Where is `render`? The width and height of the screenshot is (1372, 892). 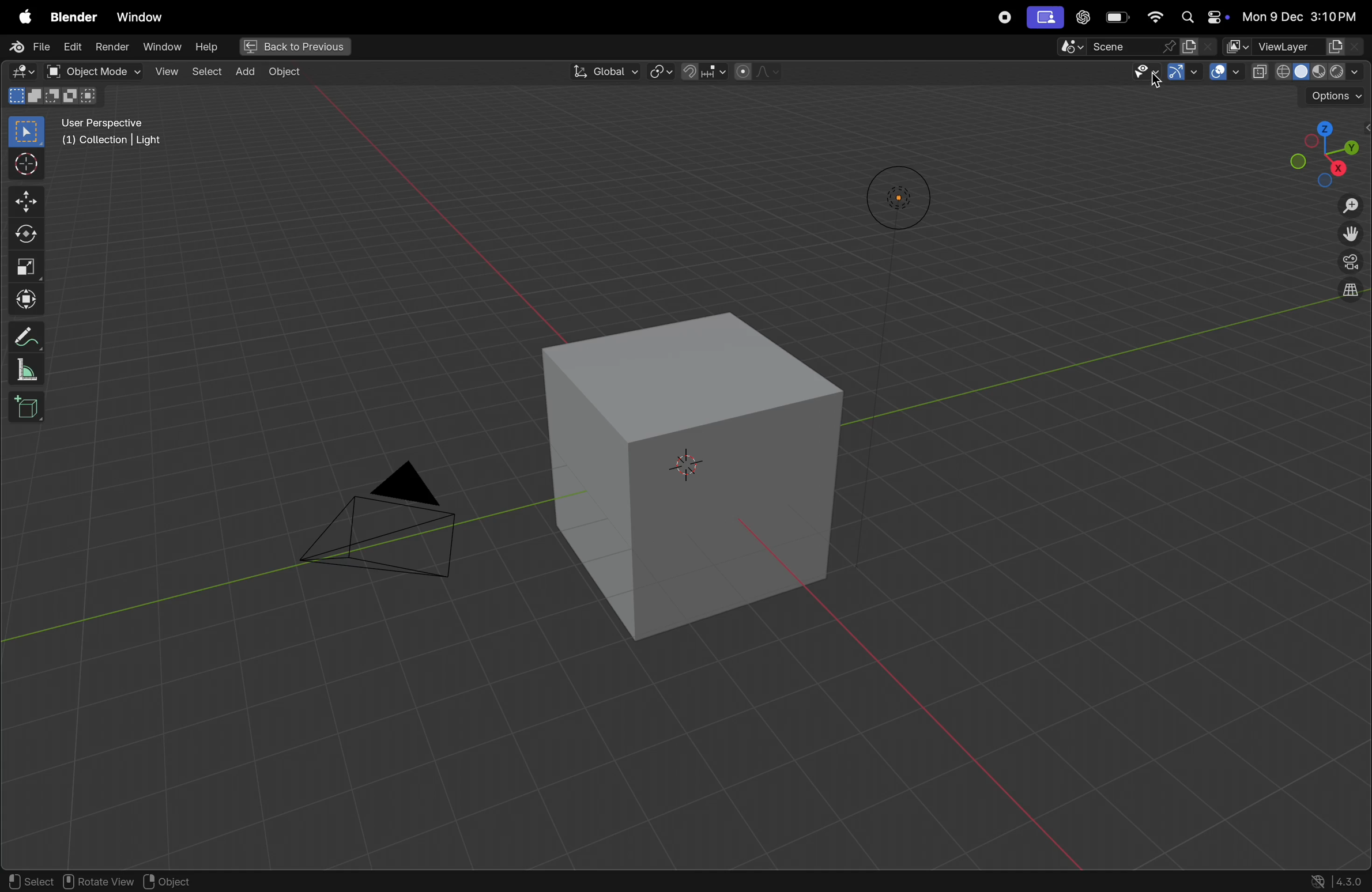
render is located at coordinates (111, 49).